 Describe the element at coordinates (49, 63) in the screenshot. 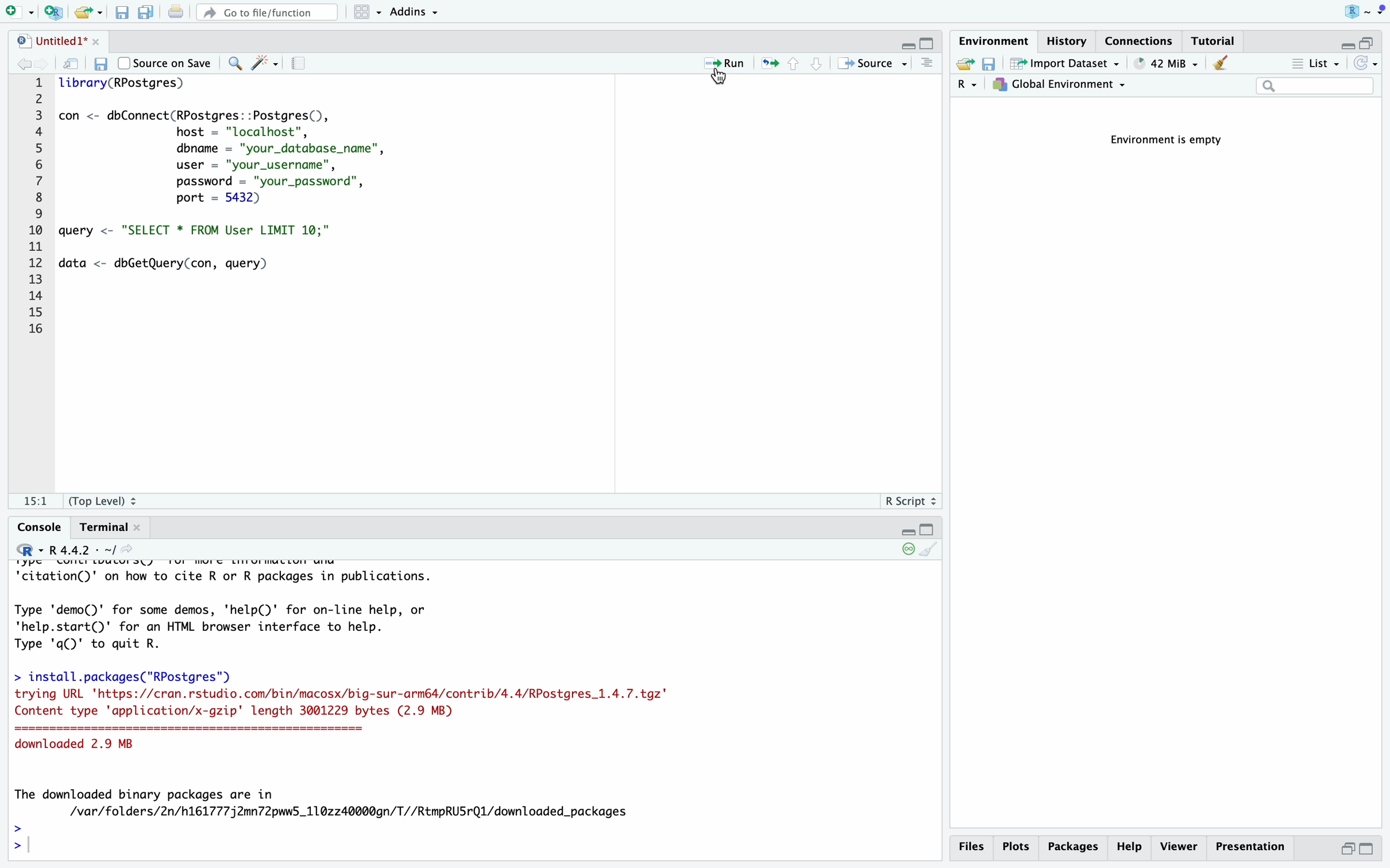

I see `go forward to the next source location` at that location.